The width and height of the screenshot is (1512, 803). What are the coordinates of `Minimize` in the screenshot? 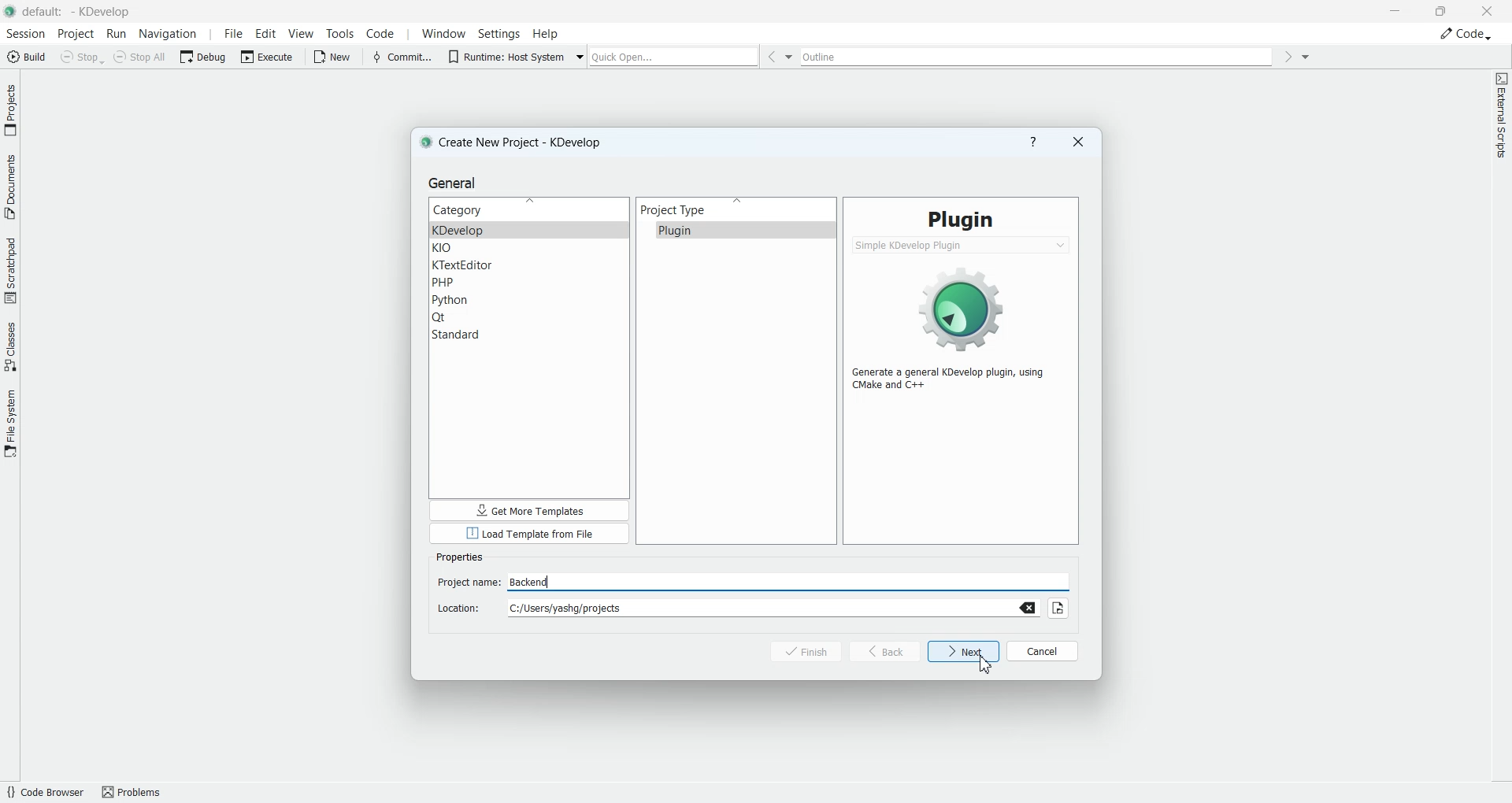 It's located at (1397, 11).